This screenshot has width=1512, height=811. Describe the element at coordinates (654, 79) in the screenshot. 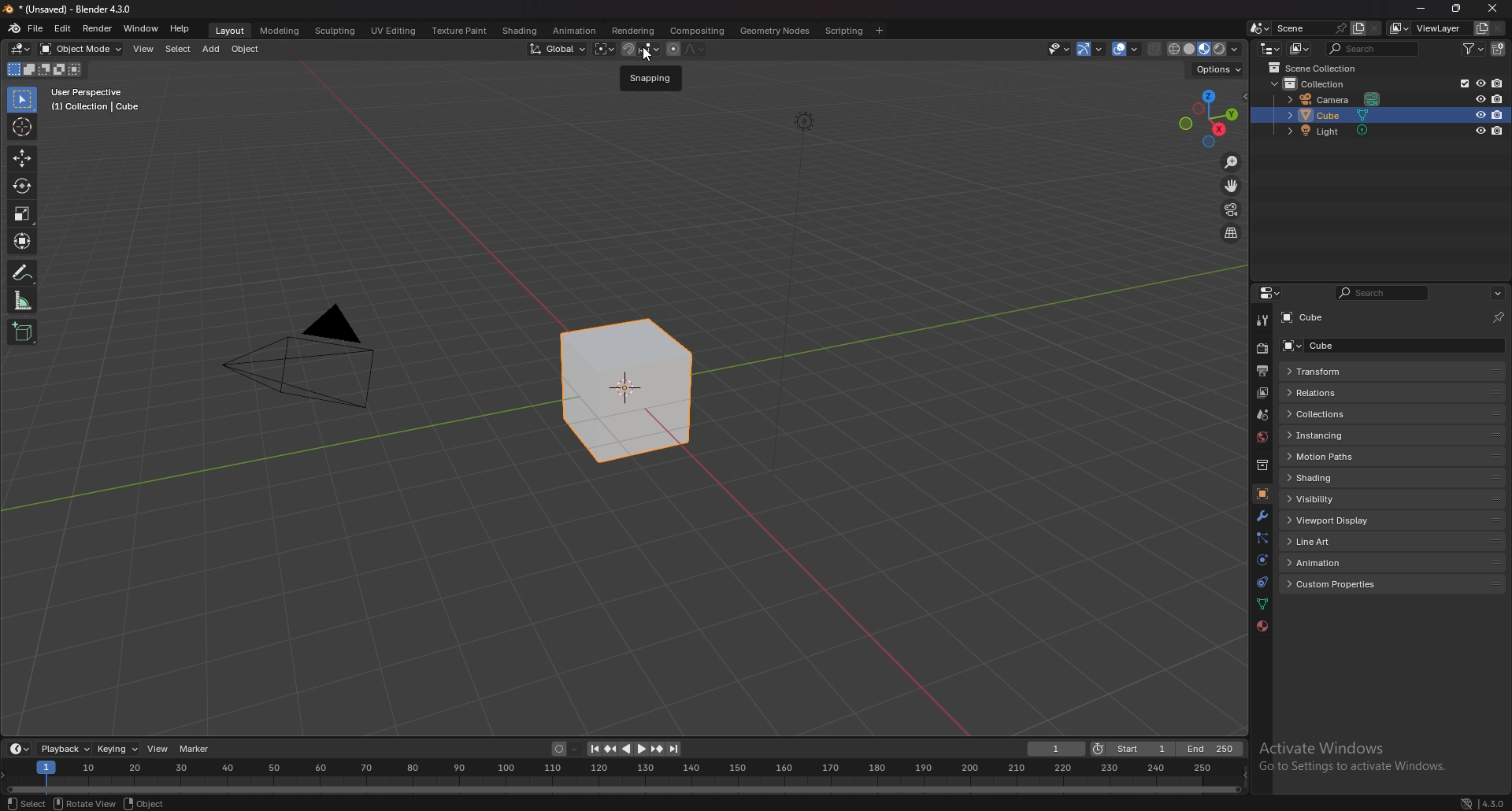

I see `tooltip` at that location.